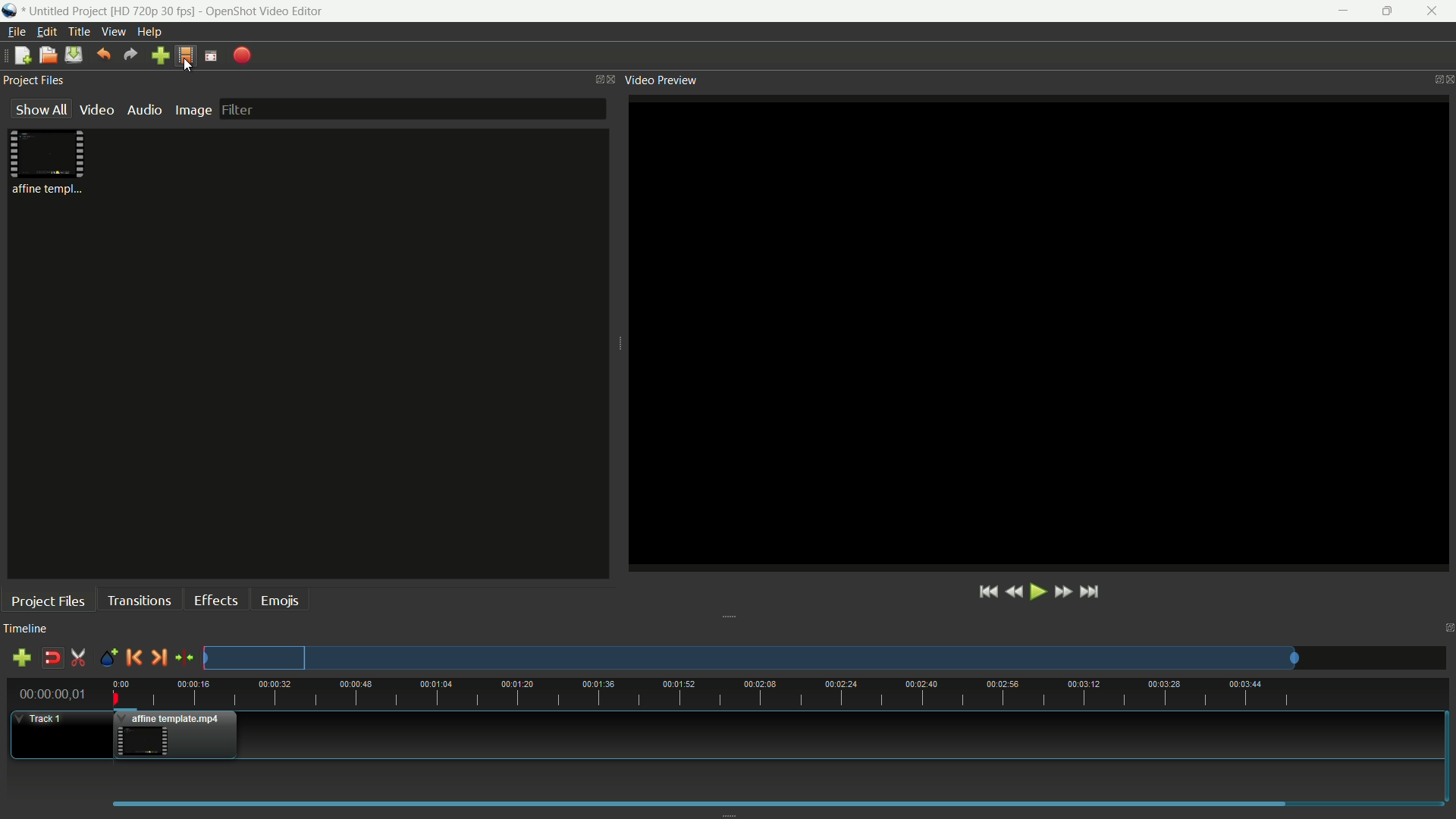  I want to click on create marker, so click(106, 658).